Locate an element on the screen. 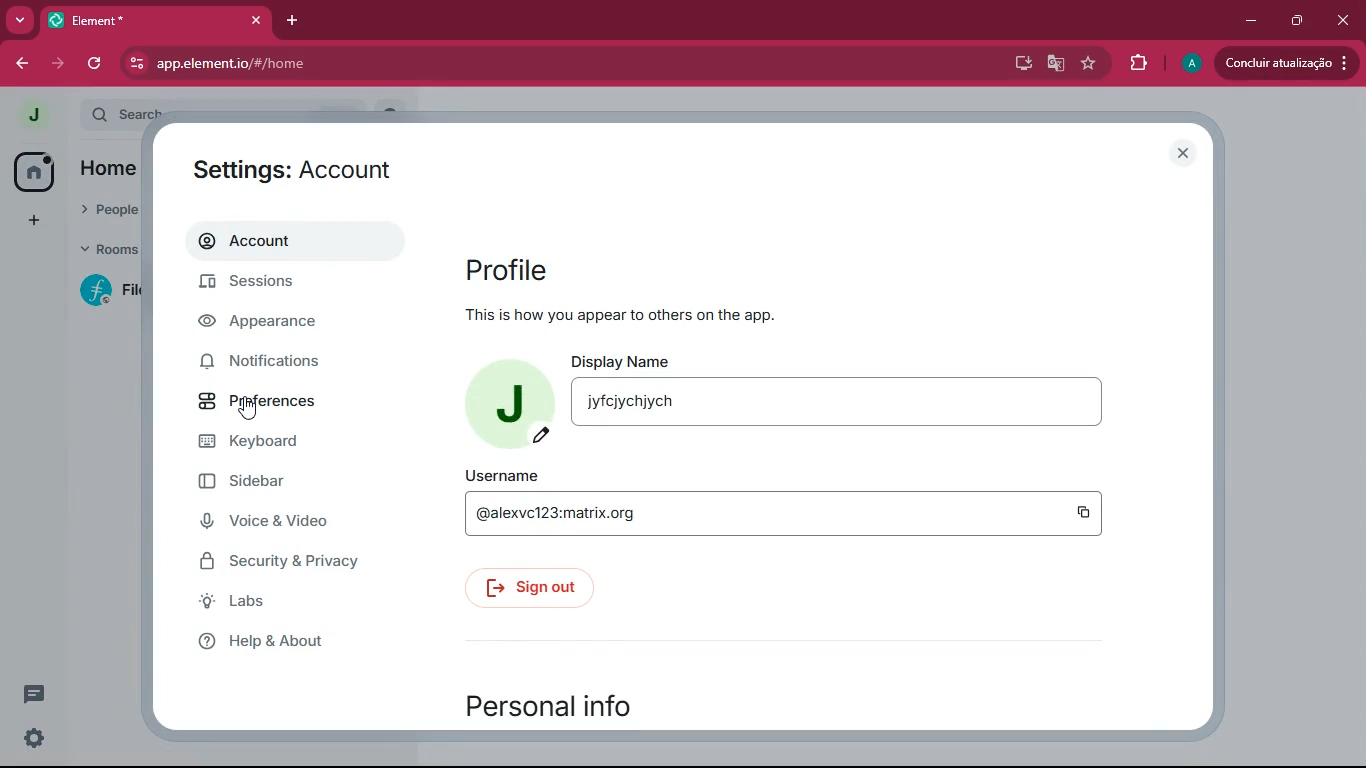 The width and height of the screenshot is (1366, 768). labs is located at coordinates (297, 602).